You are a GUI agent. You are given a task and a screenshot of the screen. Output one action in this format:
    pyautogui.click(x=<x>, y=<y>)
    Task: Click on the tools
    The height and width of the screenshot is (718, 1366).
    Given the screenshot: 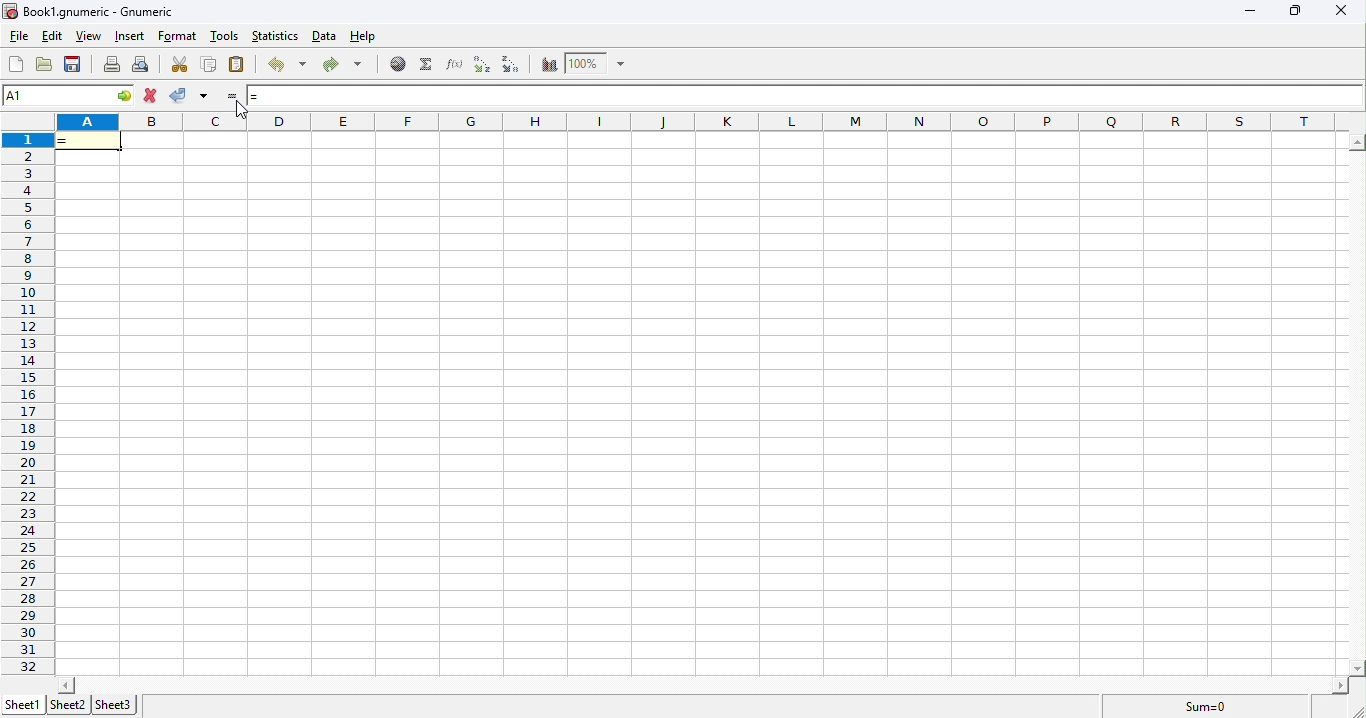 What is the action you would take?
    pyautogui.click(x=225, y=36)
    